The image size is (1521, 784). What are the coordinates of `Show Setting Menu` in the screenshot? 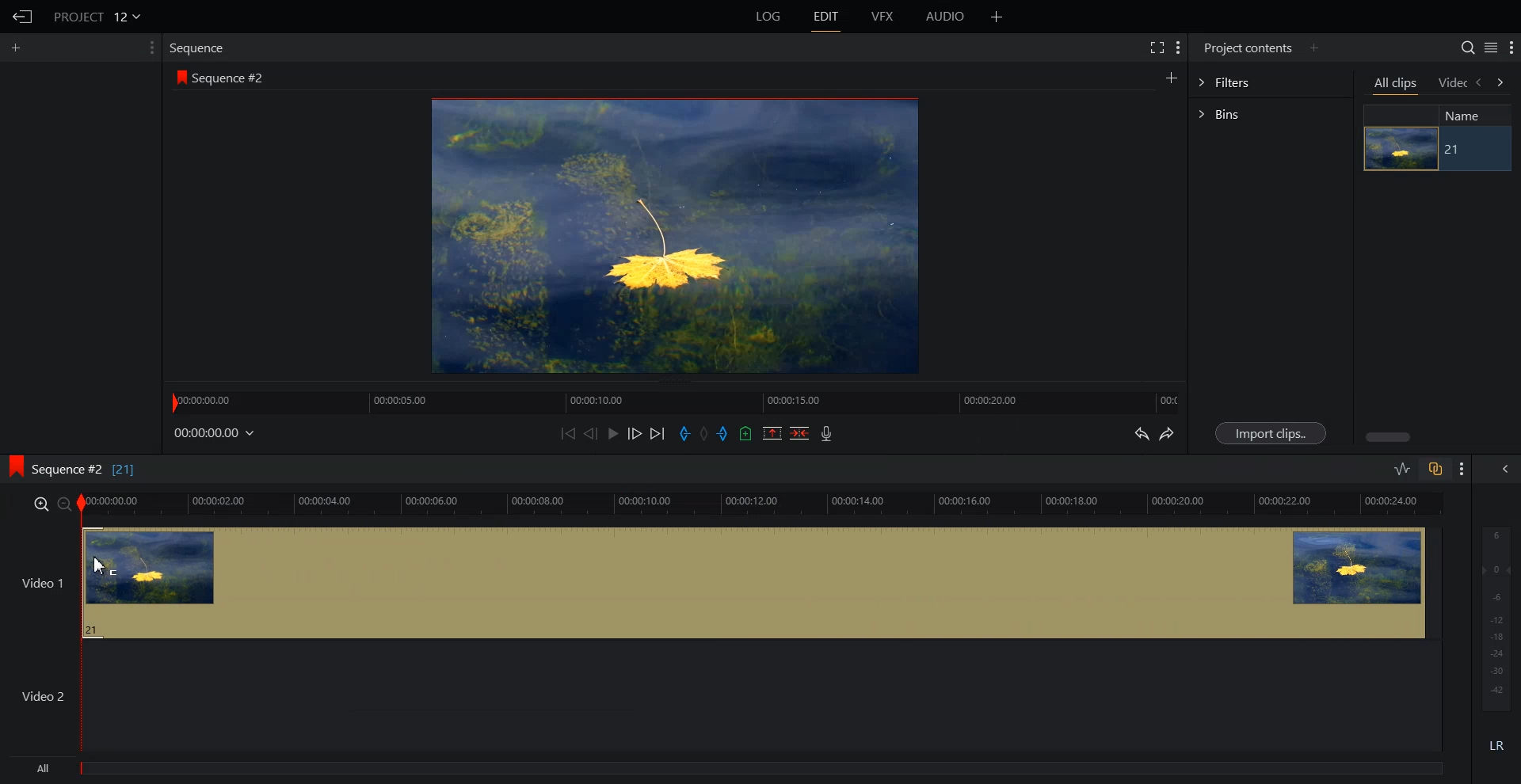 It's located at (147, 48).